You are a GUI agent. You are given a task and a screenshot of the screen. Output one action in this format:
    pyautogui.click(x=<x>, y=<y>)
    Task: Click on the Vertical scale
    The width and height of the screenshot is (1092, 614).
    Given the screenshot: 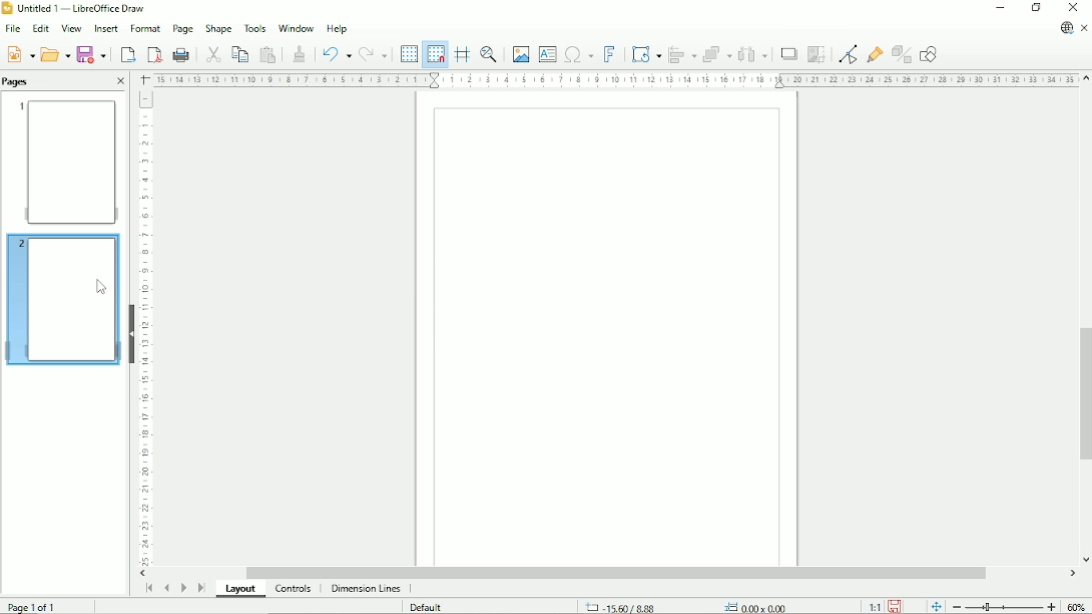 What is the action you would take?
    pyautogui.click(x=145, y=328)
    